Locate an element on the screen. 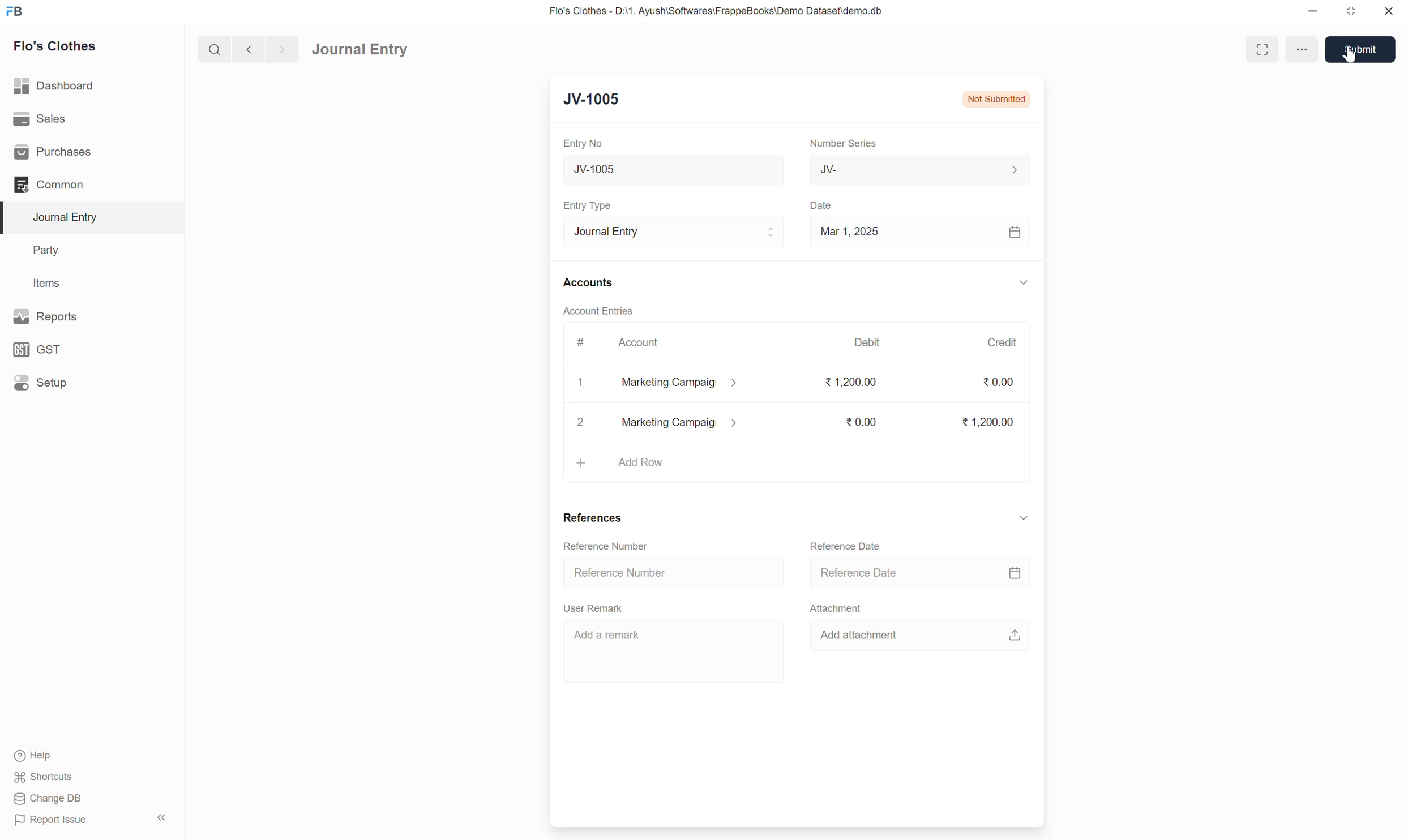 Image resolution: width=1408 pixels, height=840 pixels. Reference Number is located at coordinates (607, 547).